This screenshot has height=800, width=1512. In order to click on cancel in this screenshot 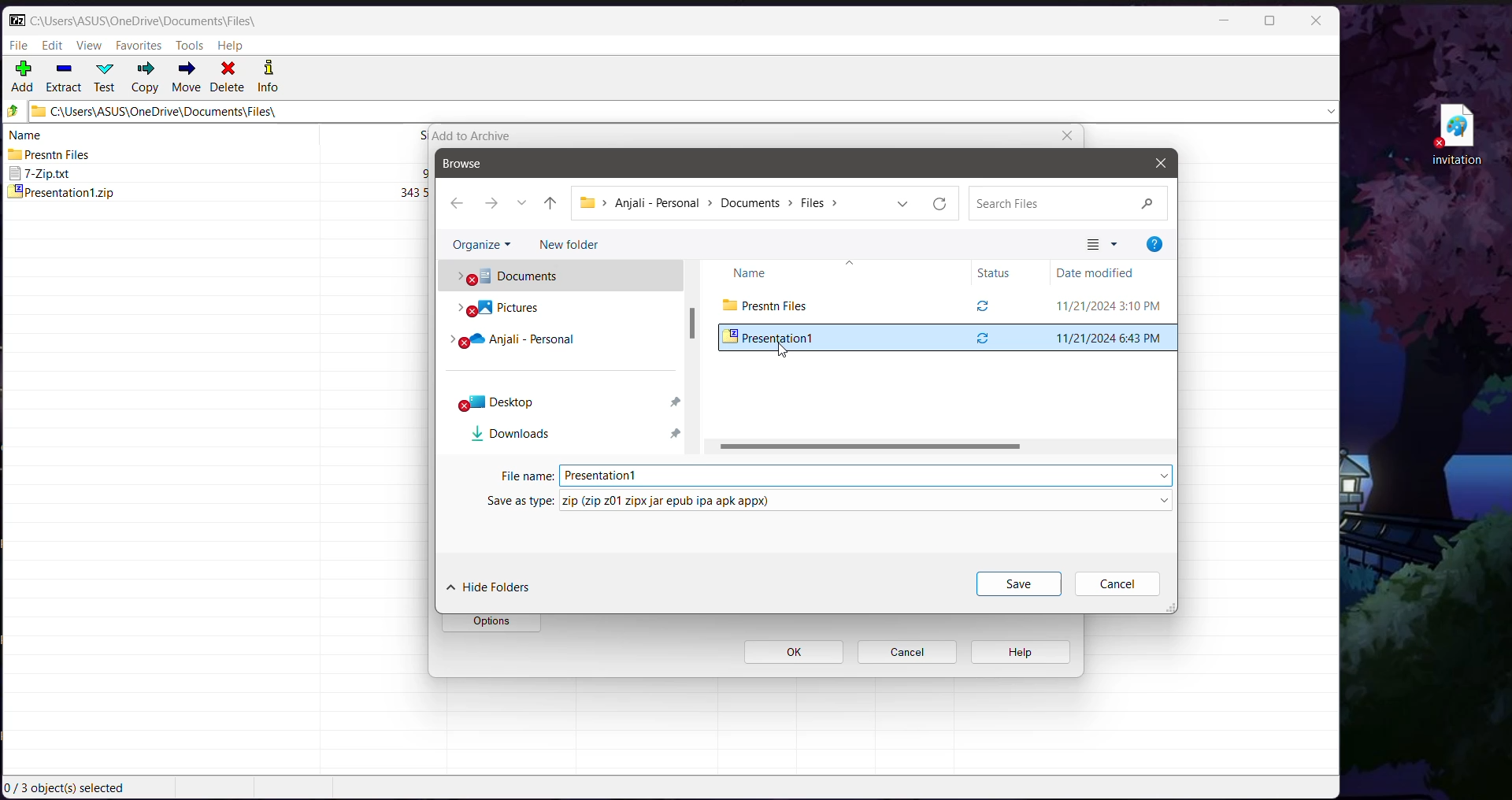, I will do `click(906, 654)`.